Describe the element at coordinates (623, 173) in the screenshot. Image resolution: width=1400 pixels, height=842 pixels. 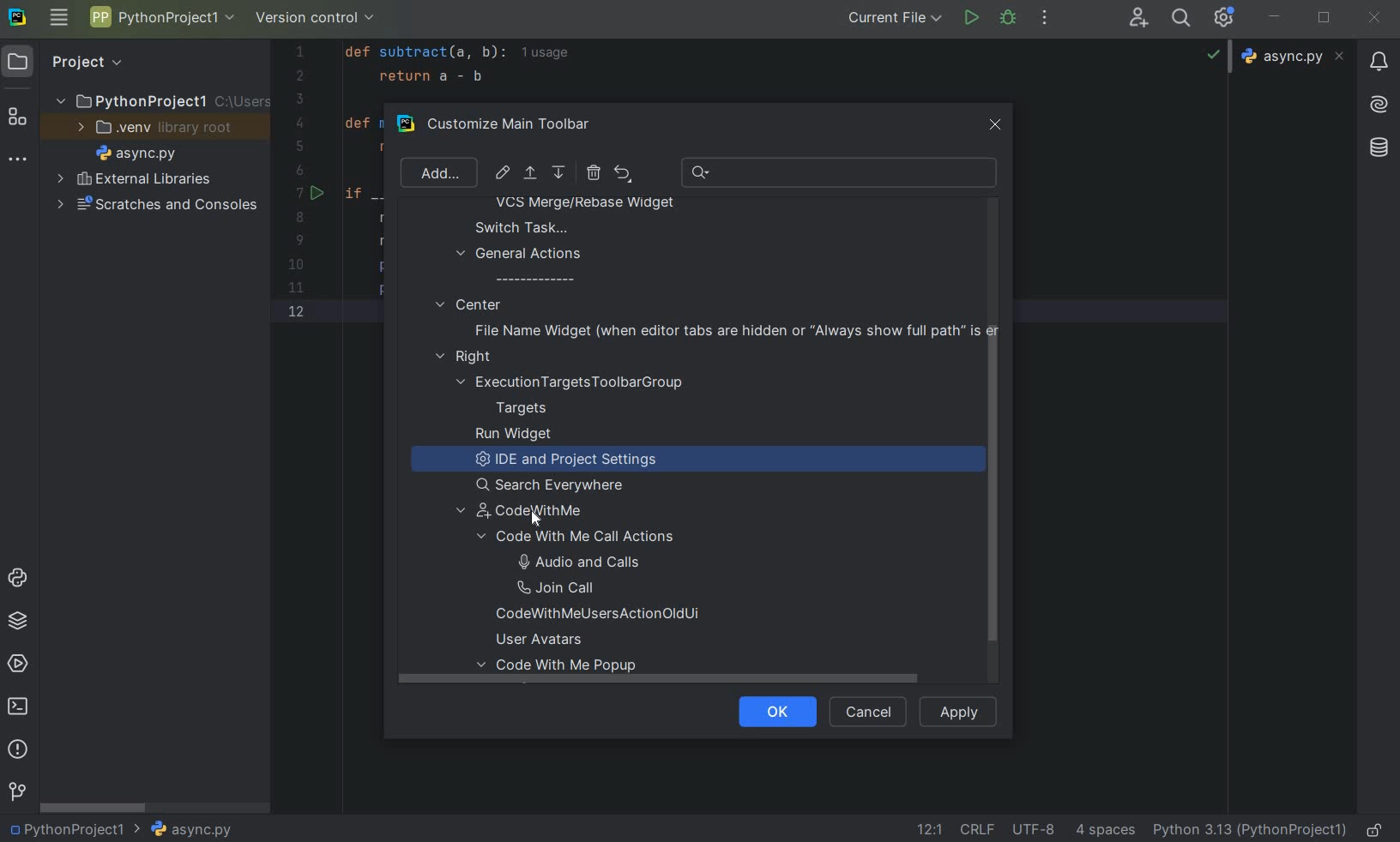
I see `RESTORE ACTIONS` at that location.